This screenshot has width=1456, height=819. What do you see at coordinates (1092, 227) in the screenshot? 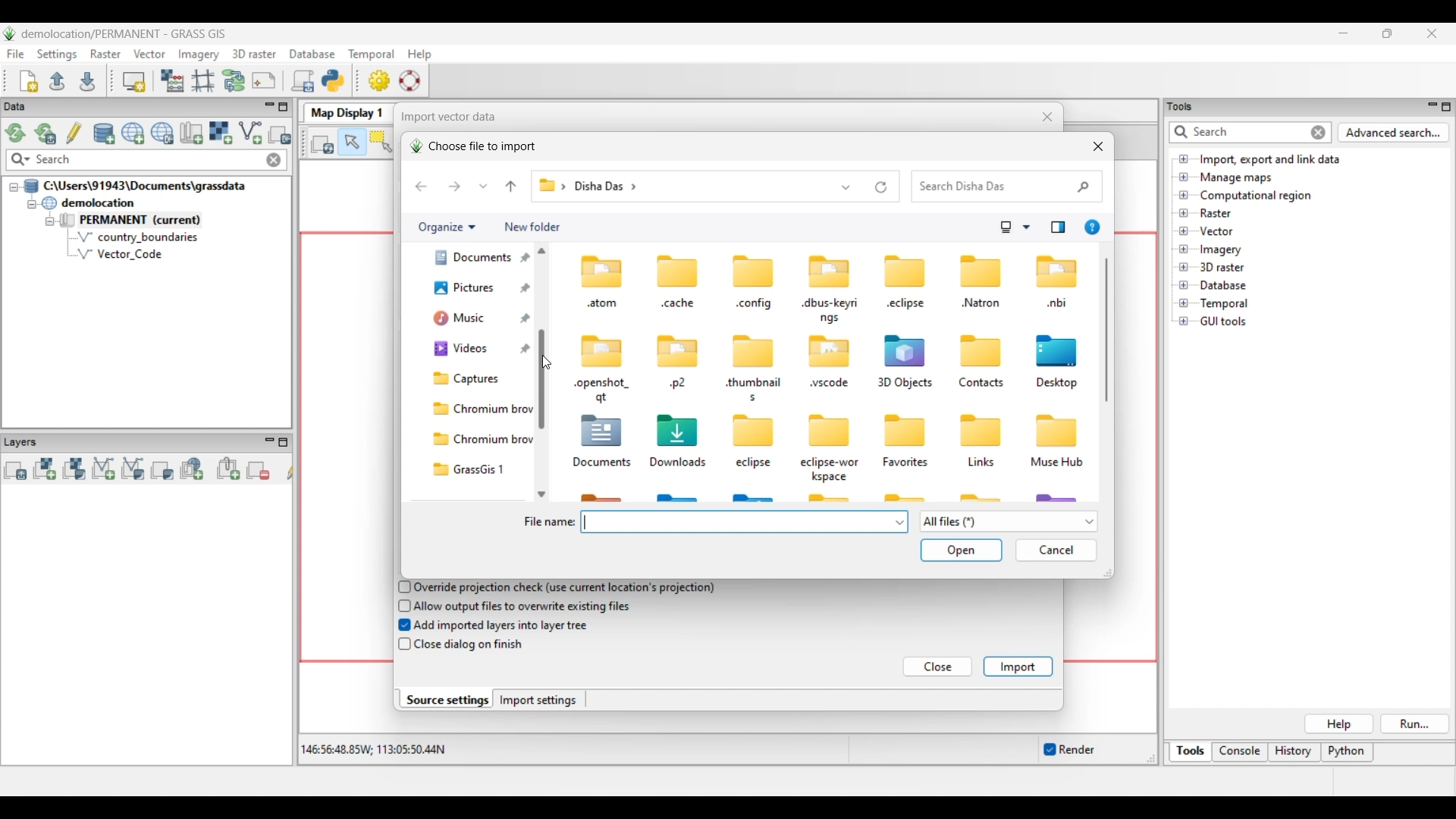
I see `Get help` at bounding box center [1092, 227].